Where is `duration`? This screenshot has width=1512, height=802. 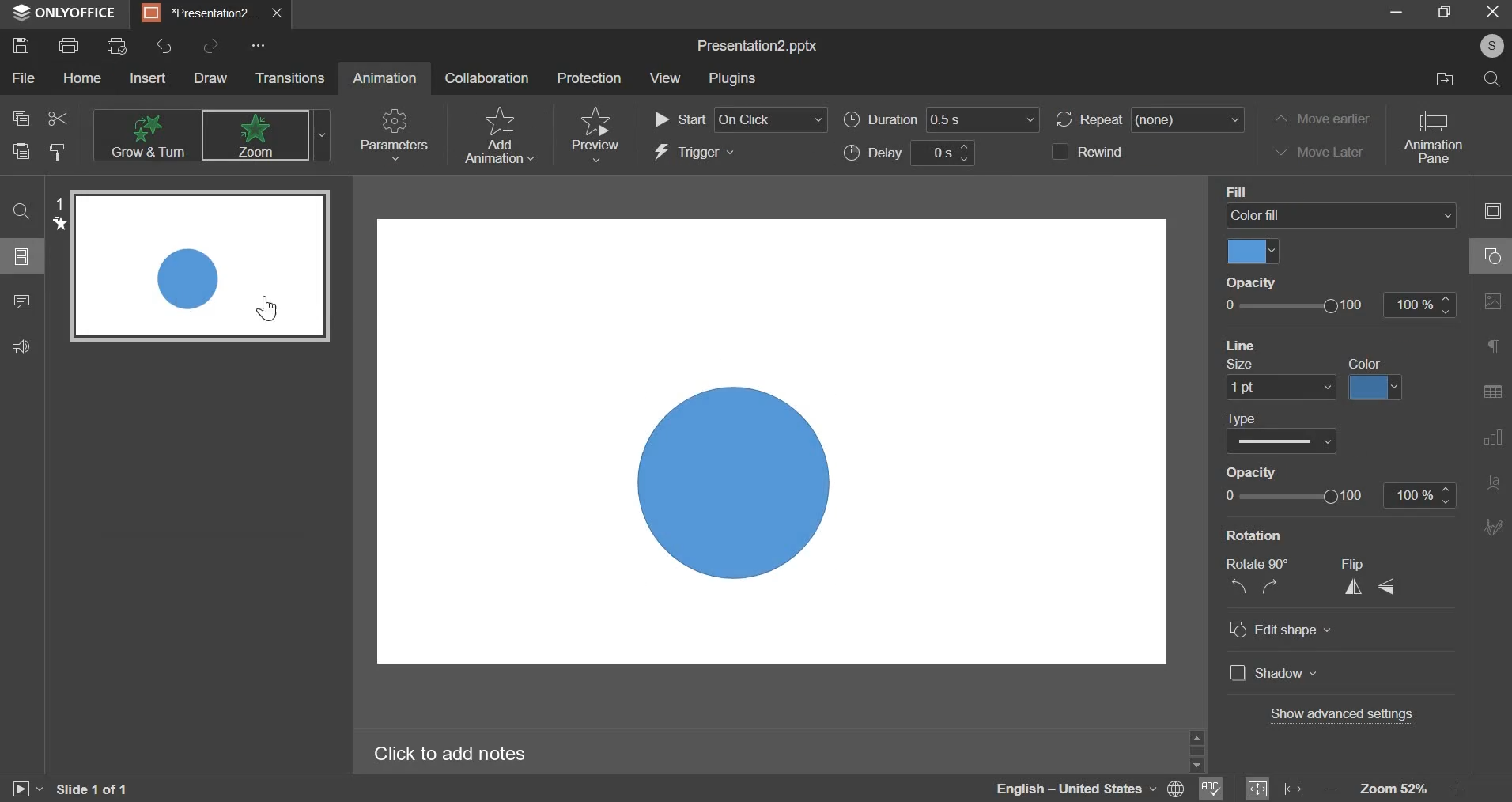
duration is located at coordinates (941, 120).